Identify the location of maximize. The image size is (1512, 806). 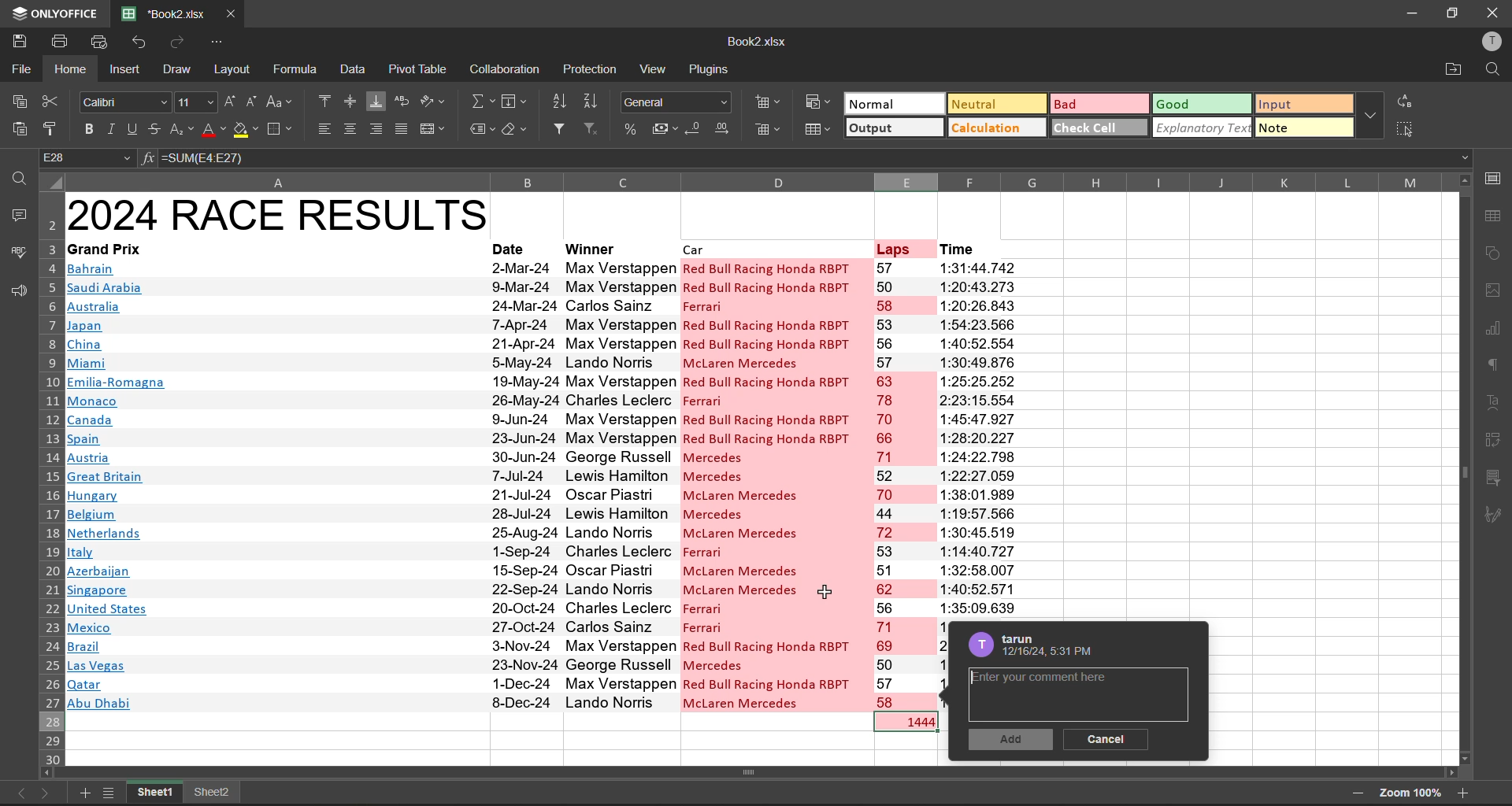
(1450, 12).